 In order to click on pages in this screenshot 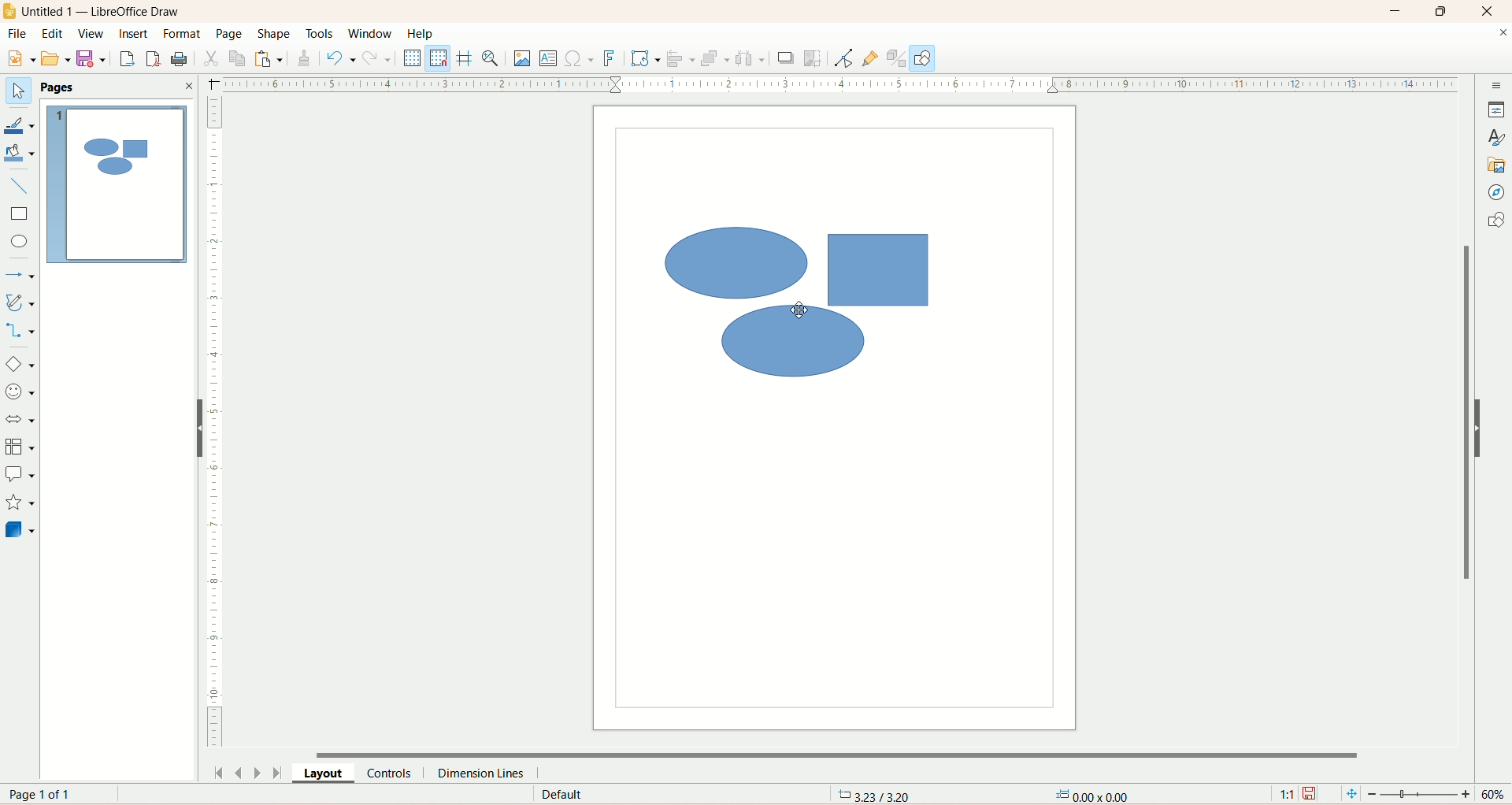, I will do `click(63, 86)`.